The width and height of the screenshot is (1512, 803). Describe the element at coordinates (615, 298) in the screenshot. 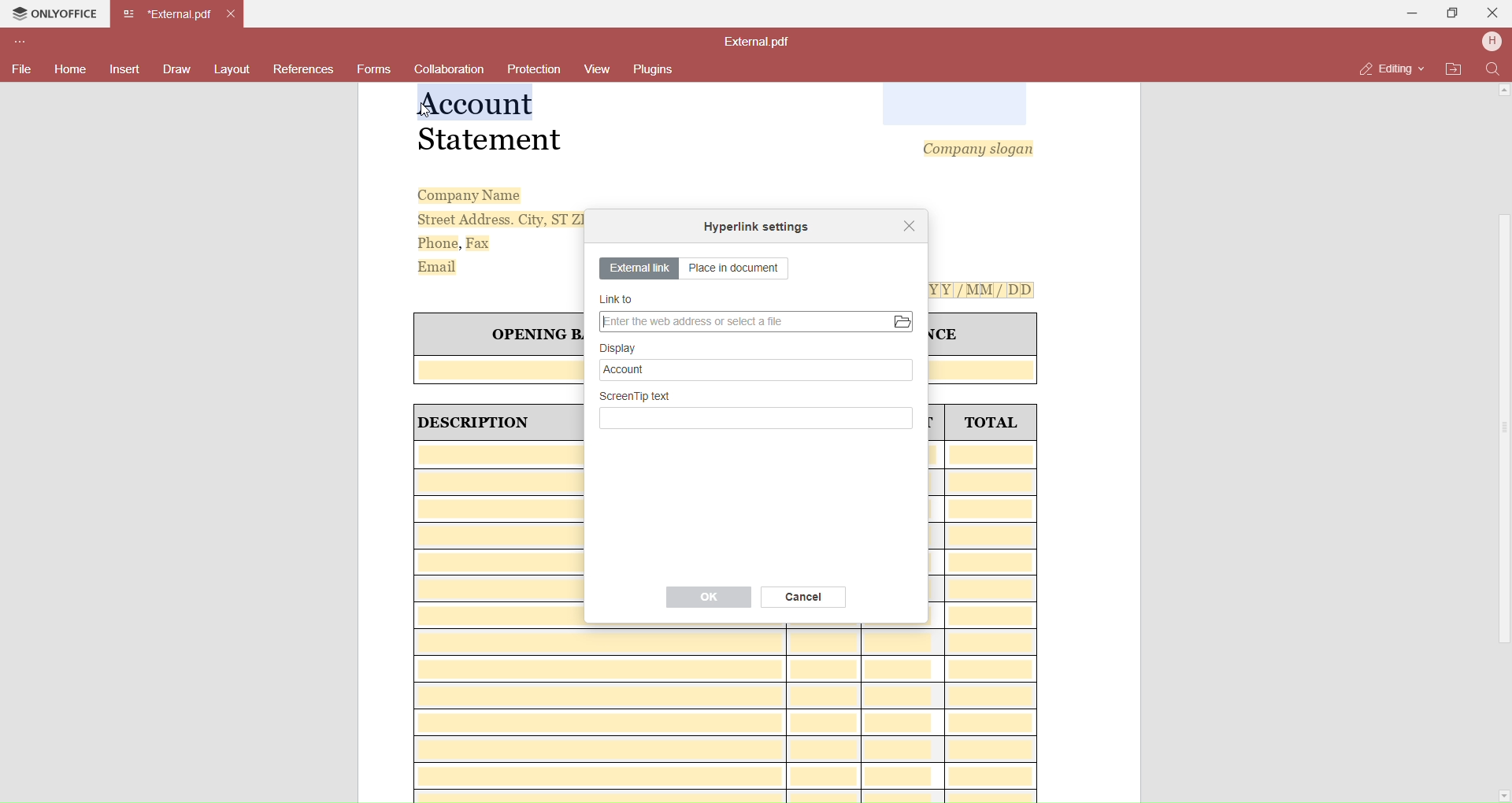

I see `Link to` at that location.